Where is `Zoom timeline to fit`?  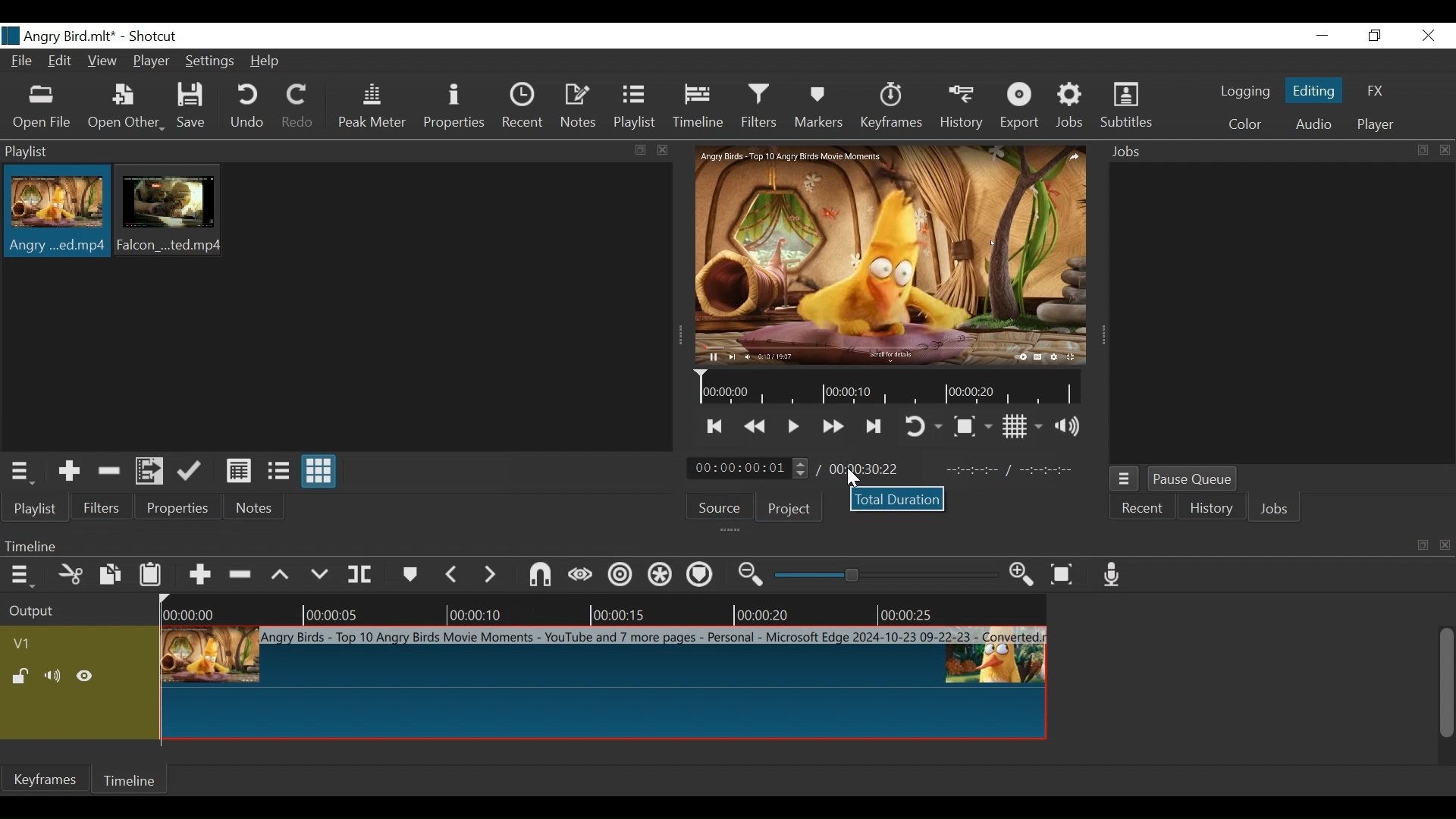 Zoom timeline to fit is located at coordinates (1063, 574).